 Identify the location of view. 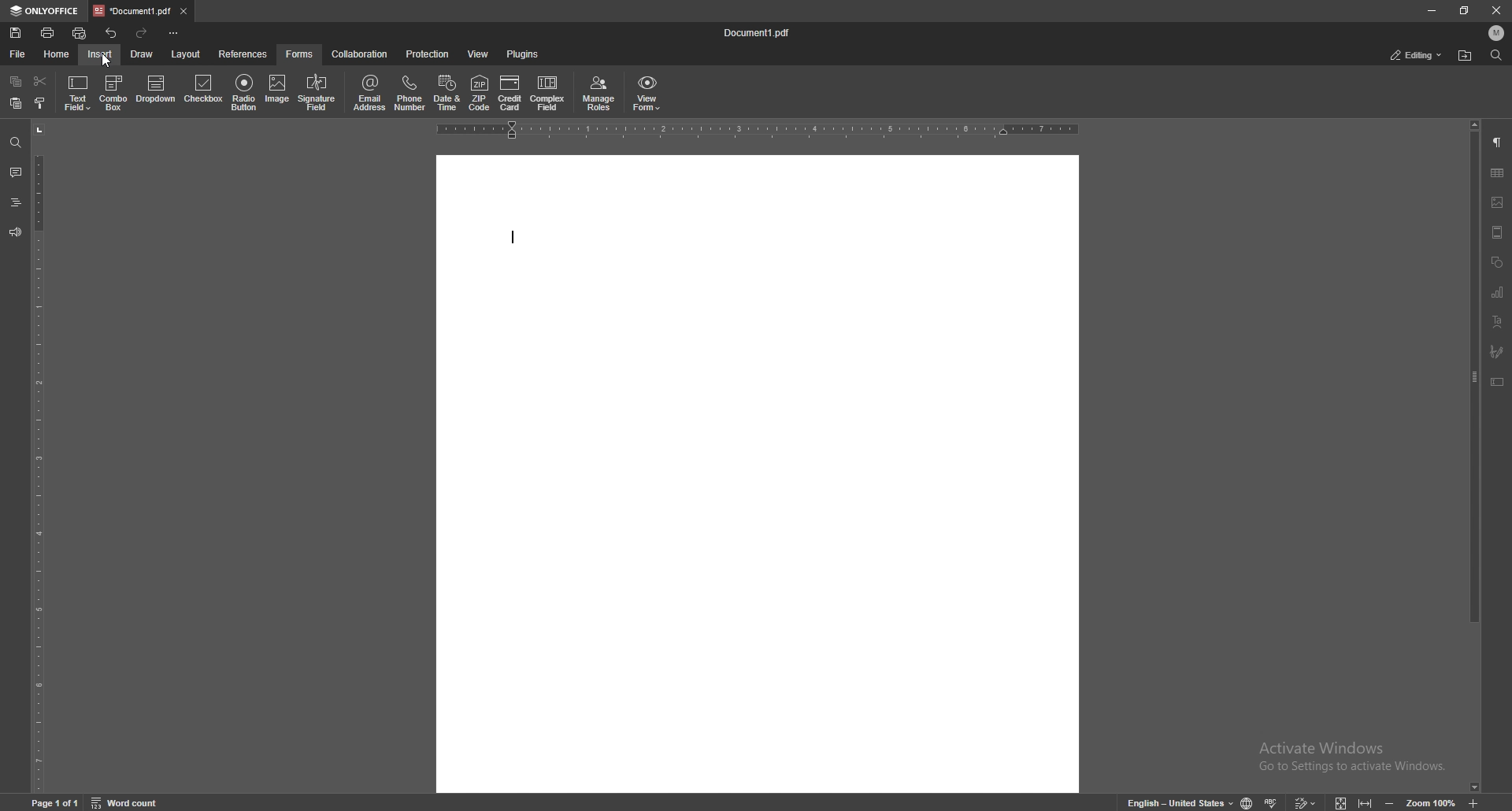
(478, 54).